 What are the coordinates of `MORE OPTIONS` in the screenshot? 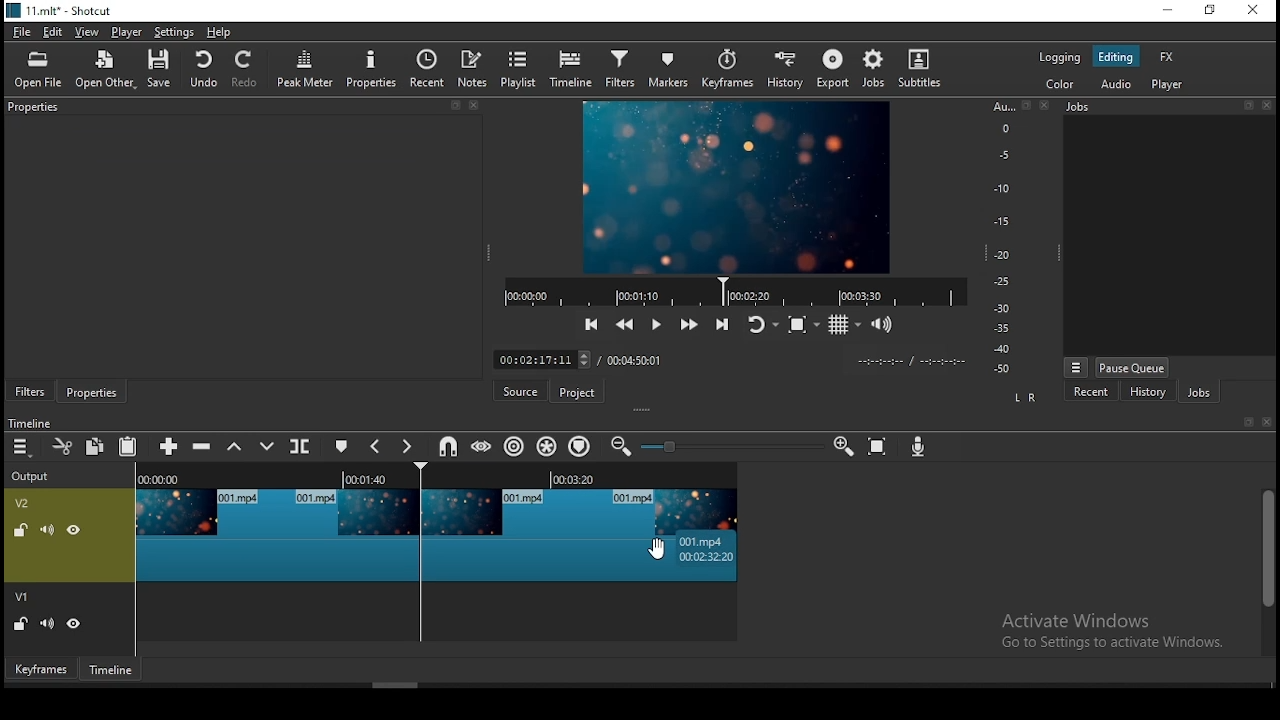 It's located at (1075, 366).